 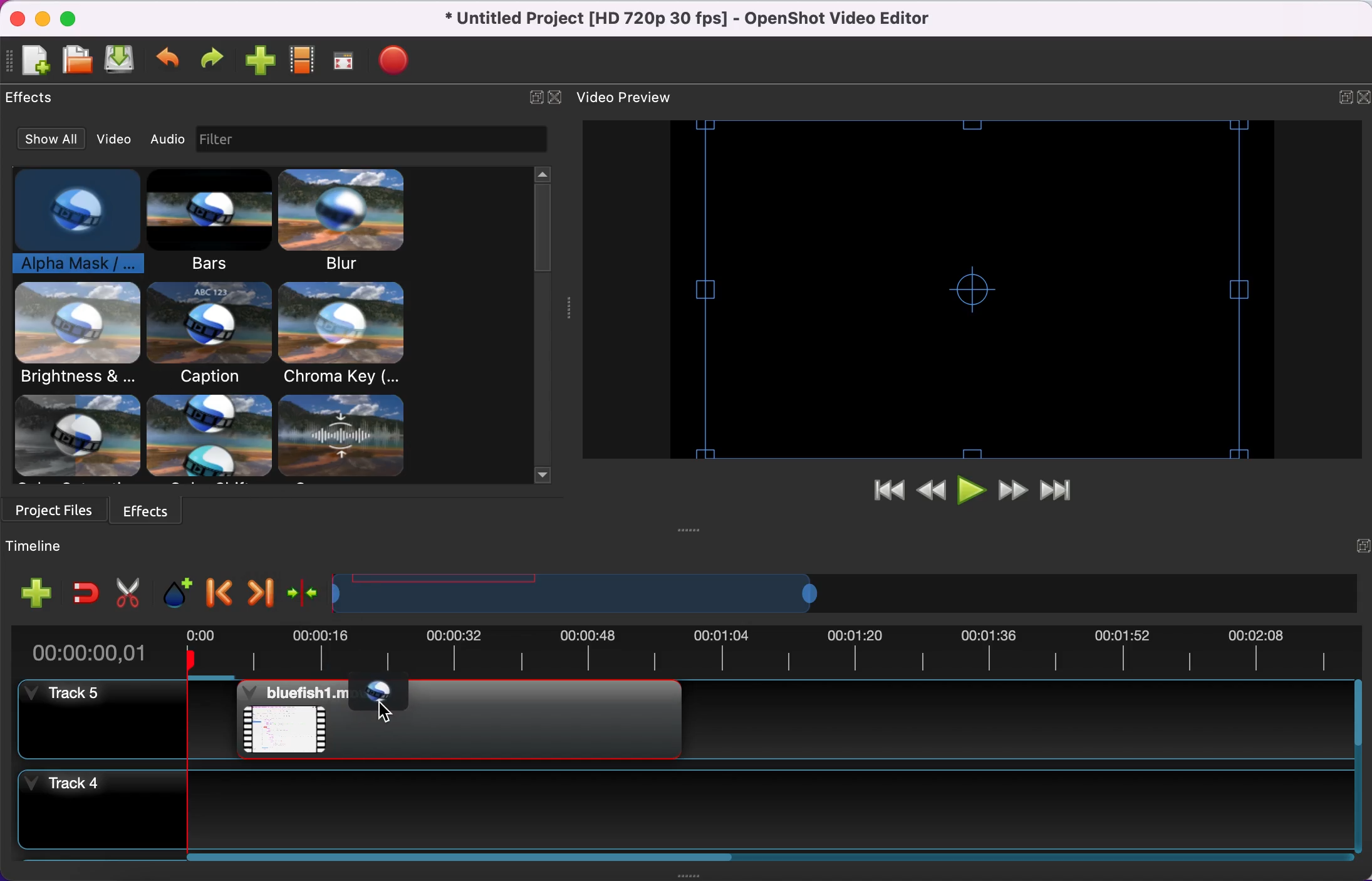 What do you see at coordinates (378, 696) in the screenshot?
I see `alpha mask` at bounding box center [378, 696].